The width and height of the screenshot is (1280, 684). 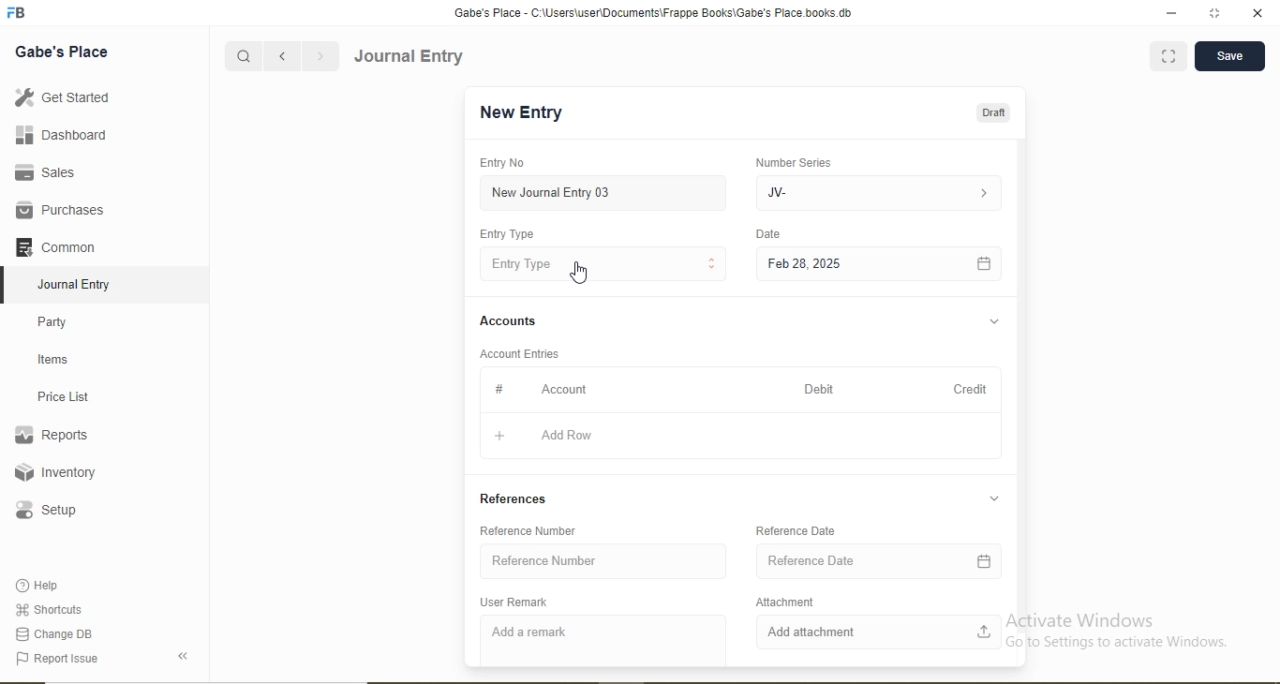 I want to click on close, so click(x=1259, y=13).